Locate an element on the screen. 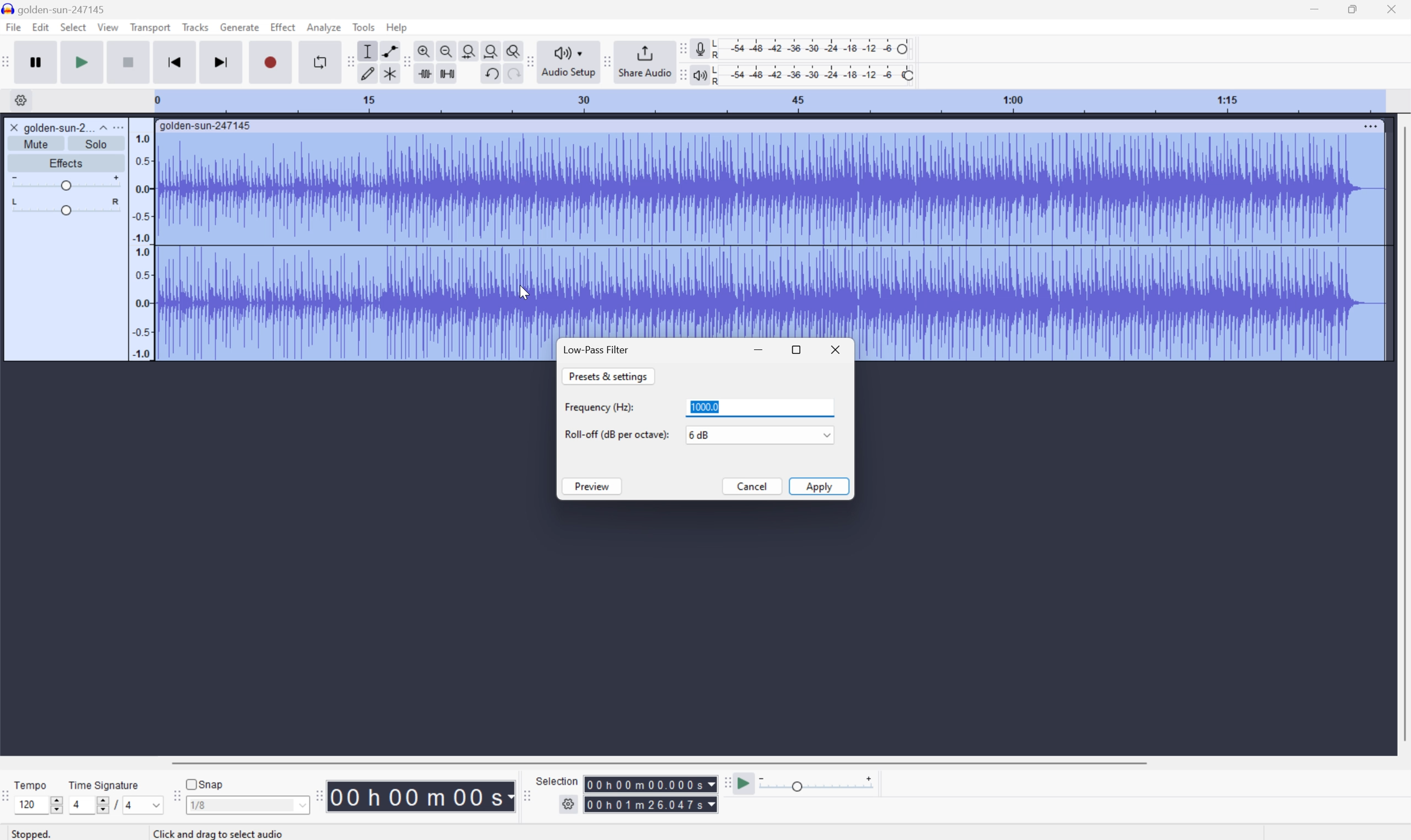 The width and height of the screenshot is (1411, 840). Close is located at coordinates (1392, 8).